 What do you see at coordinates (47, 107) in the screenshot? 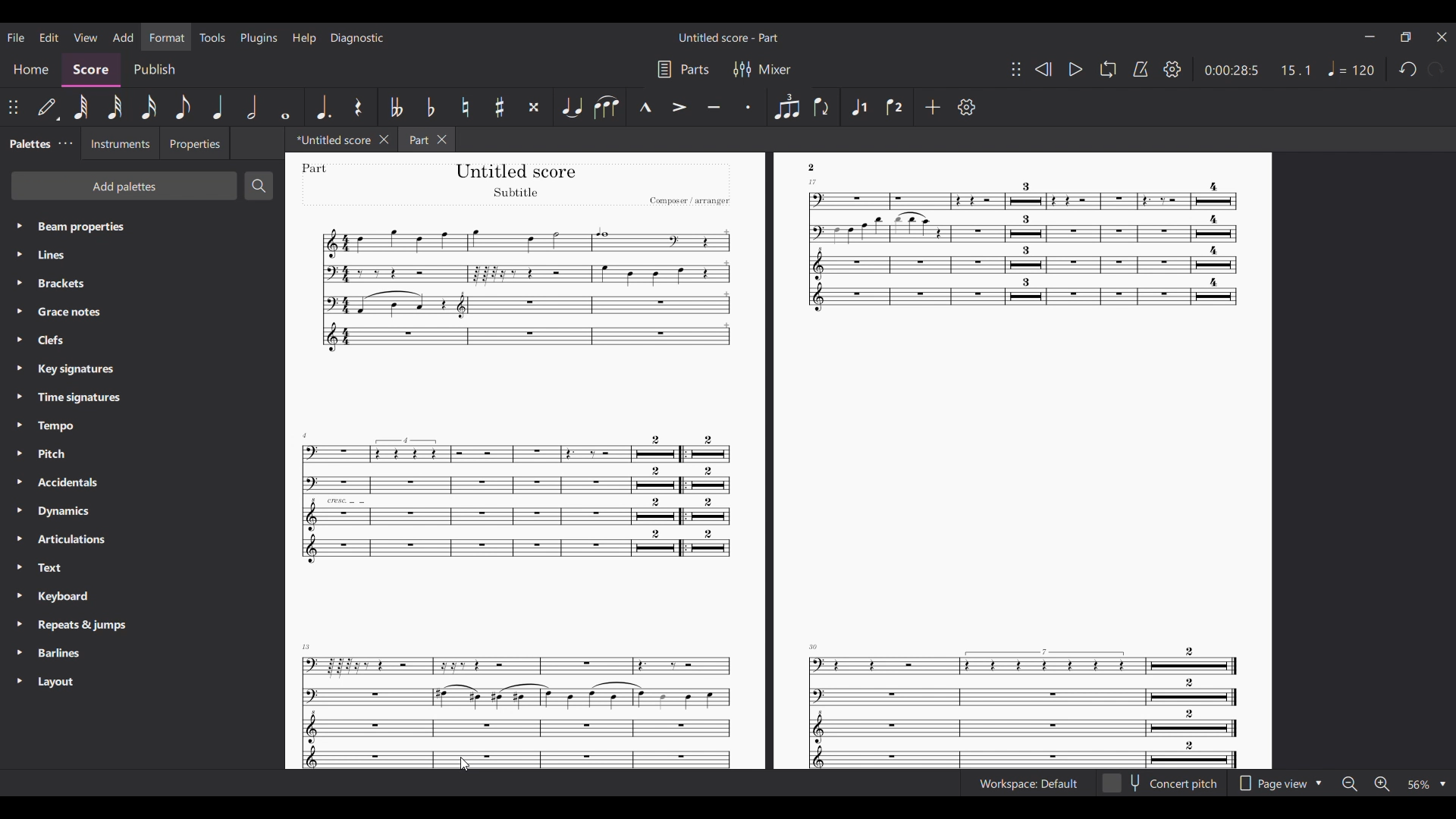
I see `Default` at bounding box center [47, 107].